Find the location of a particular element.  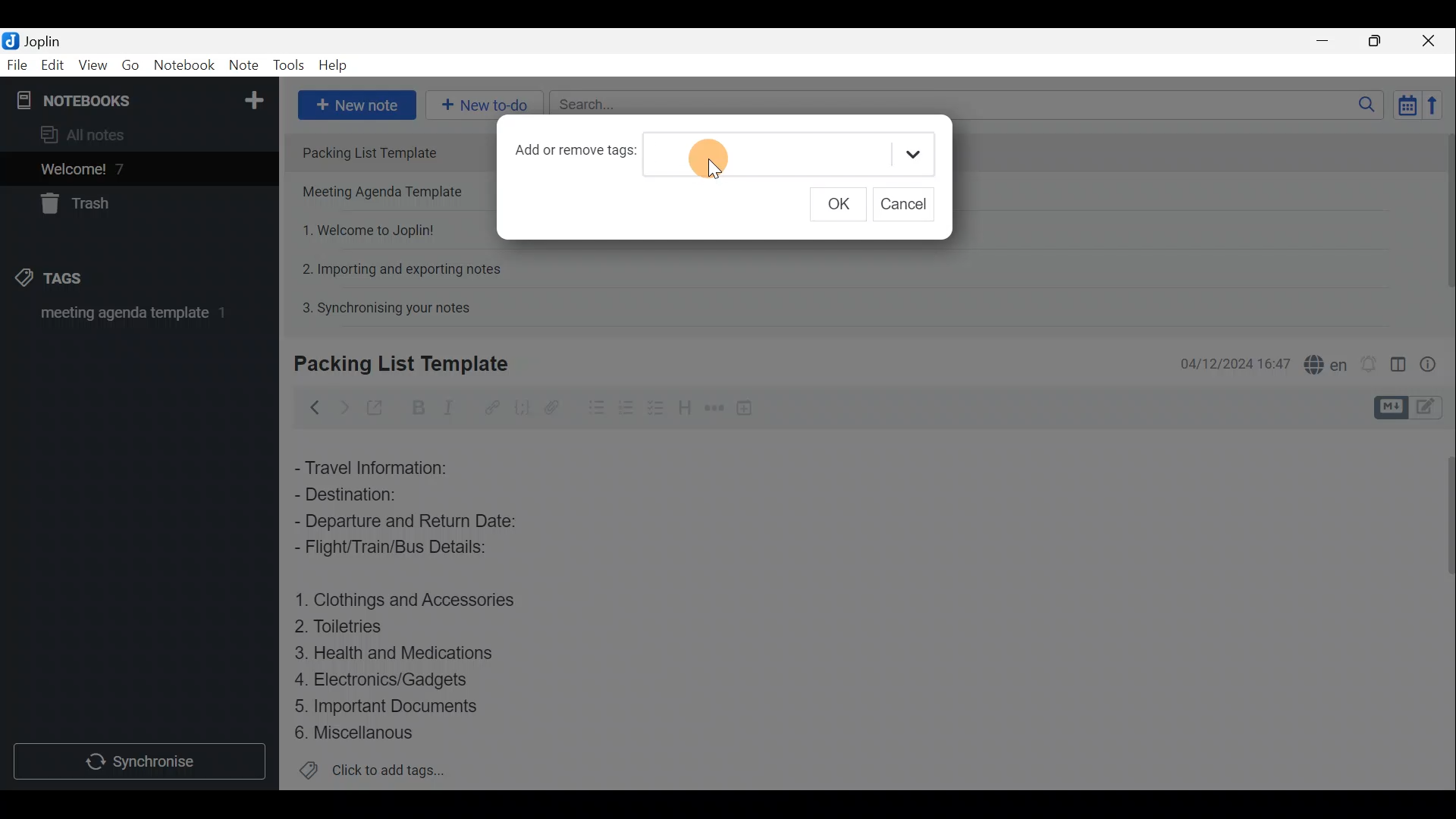

Note 2 is located at coordinates (388, 193).